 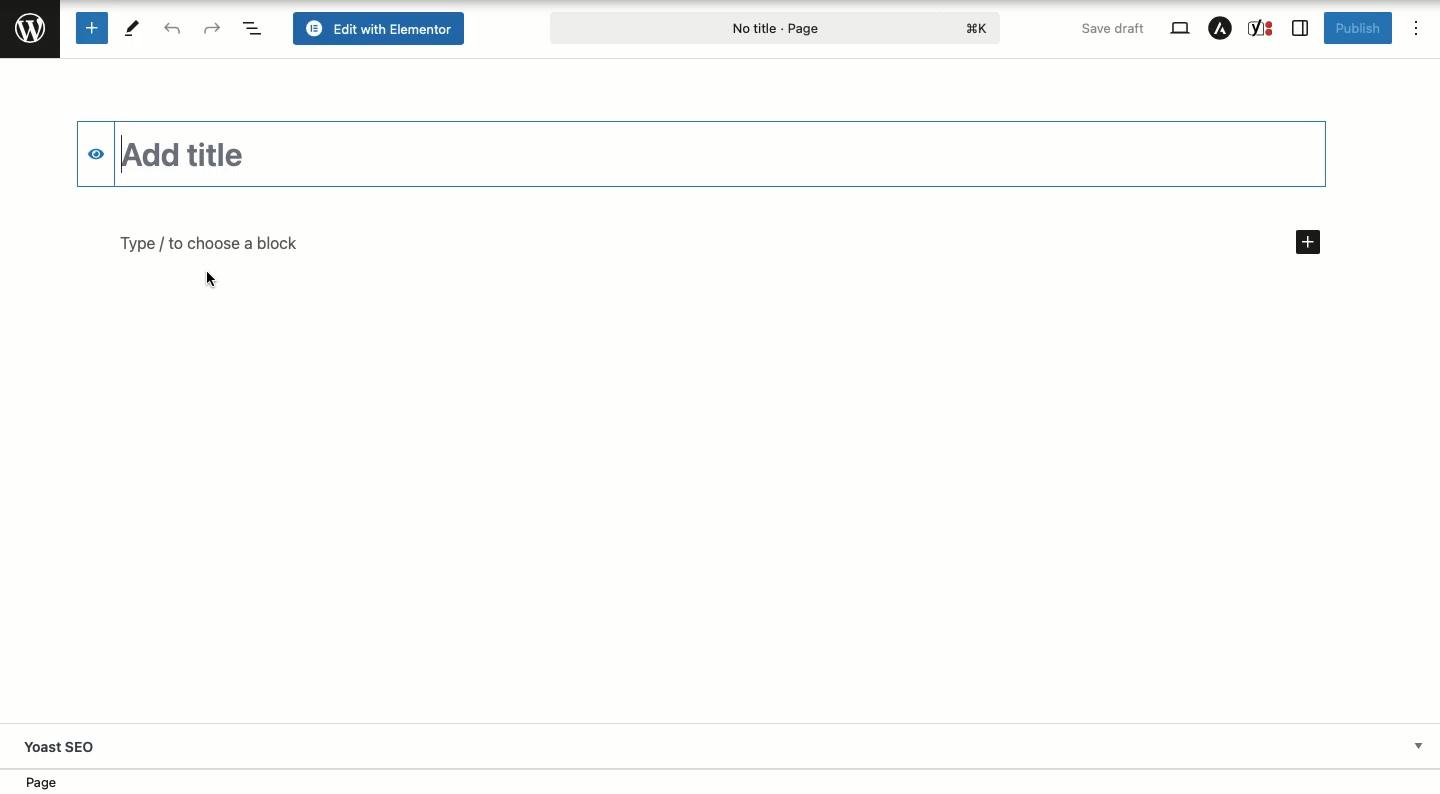 What do you see at coordinates (1112, 28) in the screenshot?
I see `Save draft` at bounding box center [1112, 28].